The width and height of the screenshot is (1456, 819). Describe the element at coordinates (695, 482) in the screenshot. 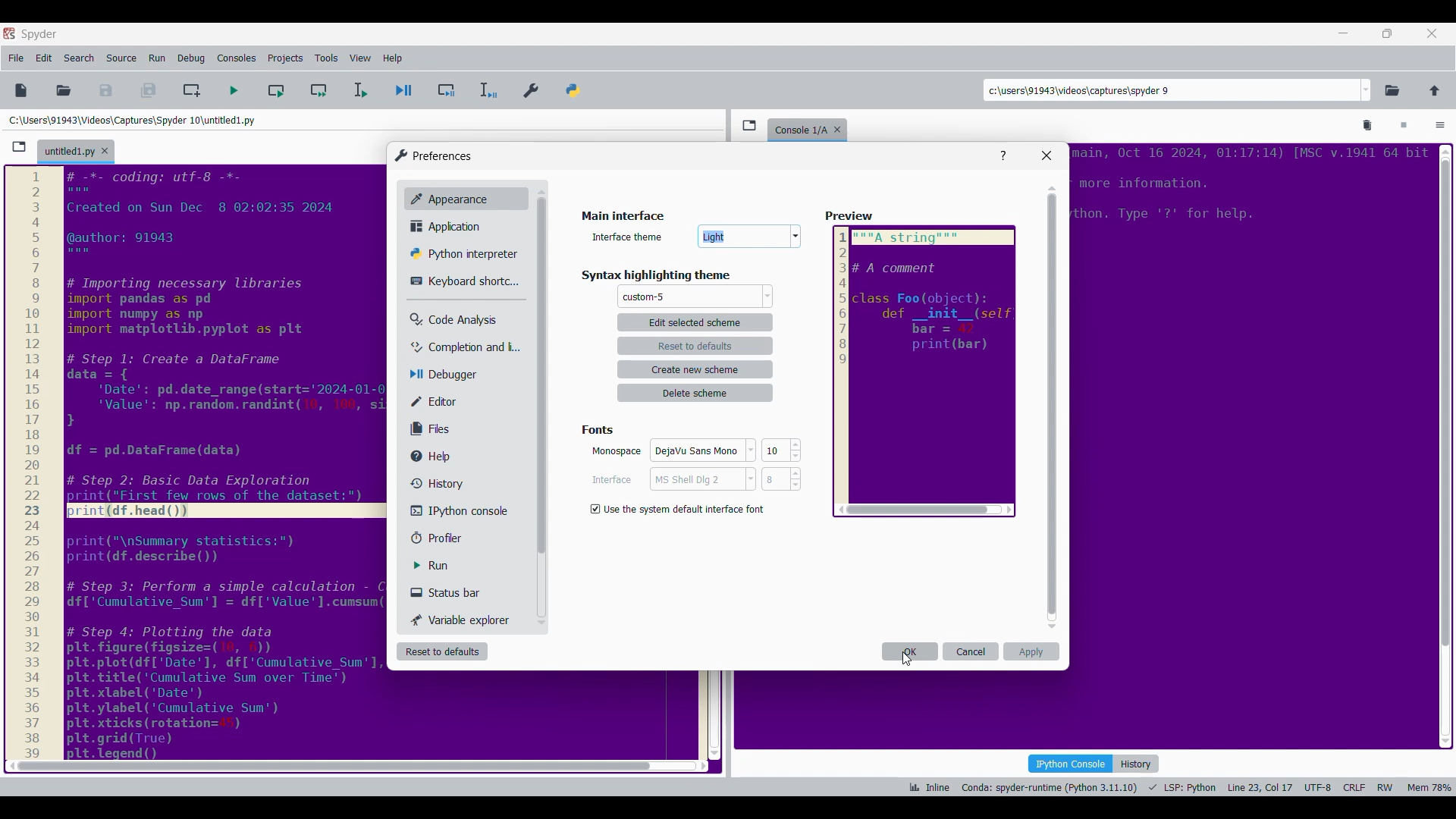

I see `Cancel` at that location.